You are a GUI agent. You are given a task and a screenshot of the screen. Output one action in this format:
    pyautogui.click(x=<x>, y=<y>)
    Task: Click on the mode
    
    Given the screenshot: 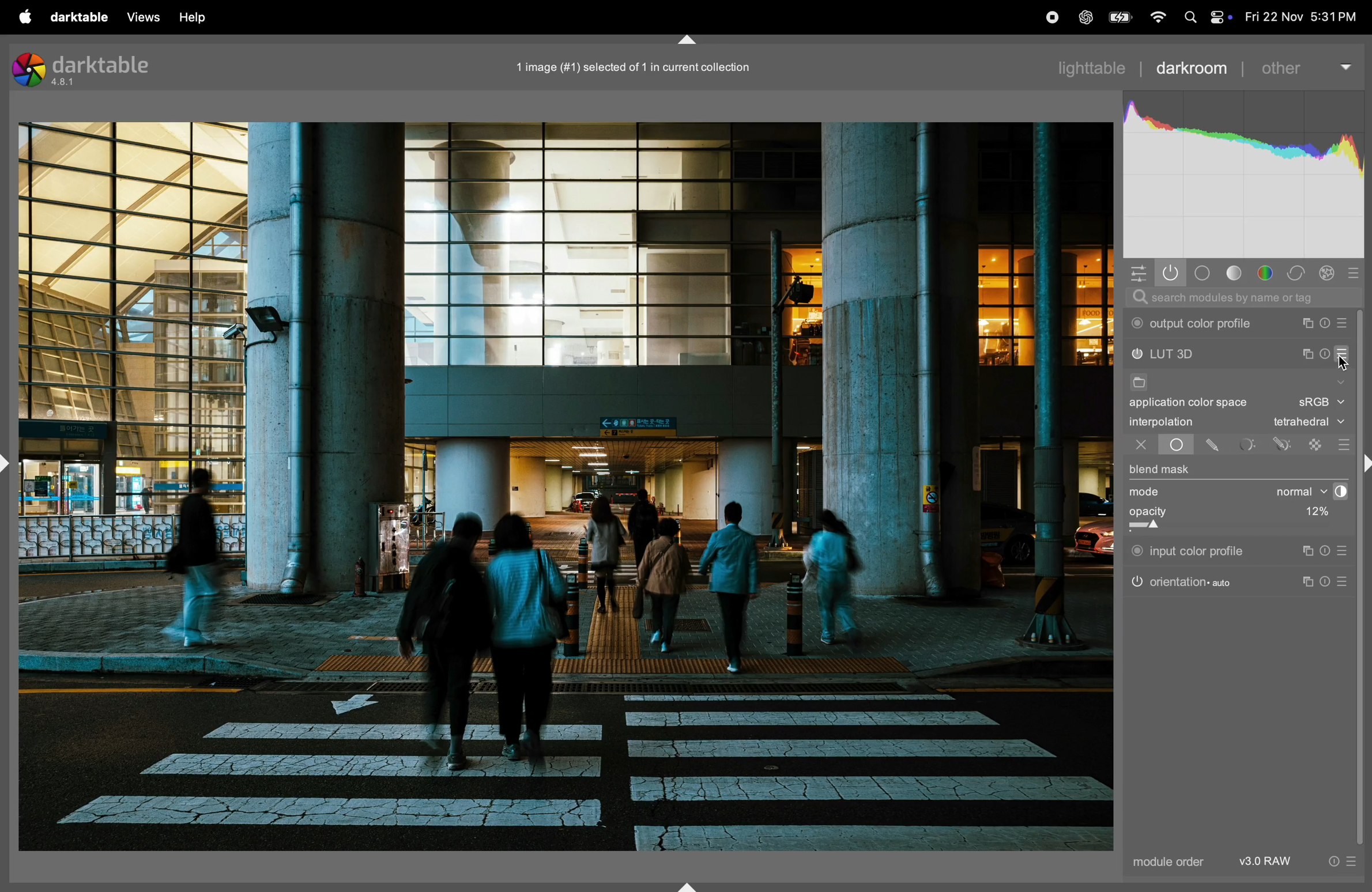 What is the action you would take?
    pyautogui.click(x=1148, y=493)
    